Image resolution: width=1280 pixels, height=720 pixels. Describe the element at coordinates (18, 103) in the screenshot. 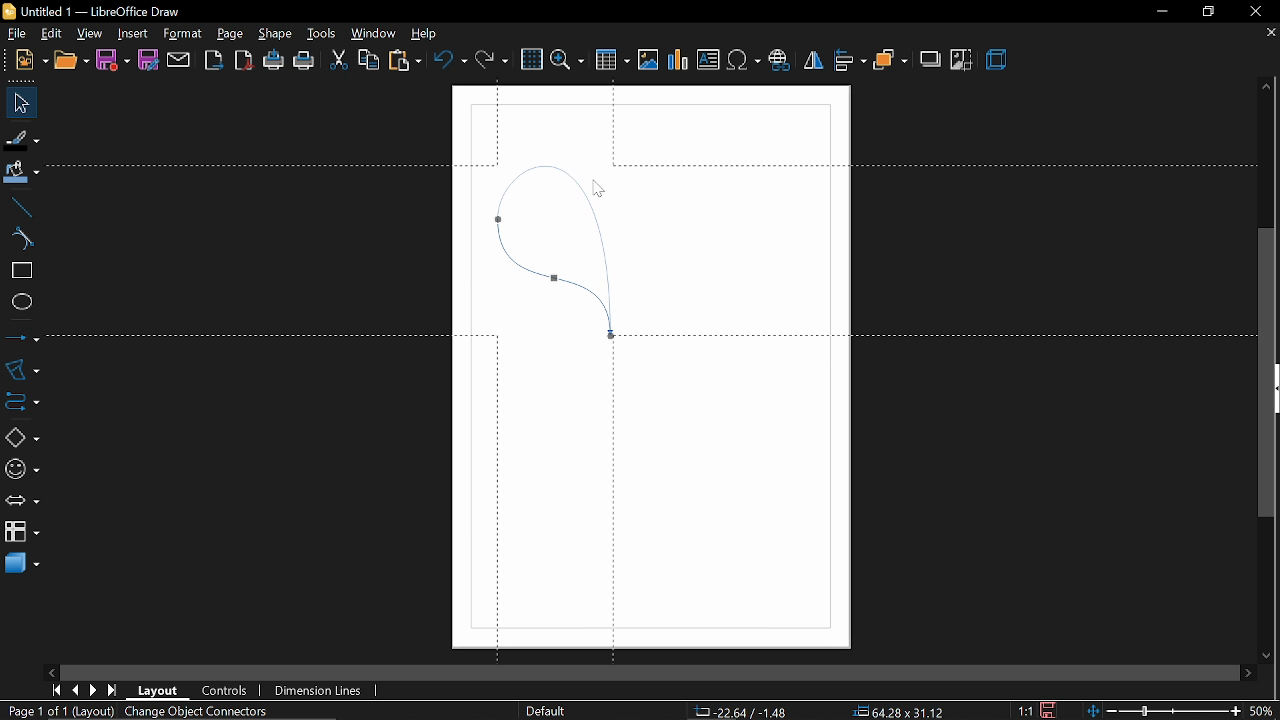

I see `select` at that location.